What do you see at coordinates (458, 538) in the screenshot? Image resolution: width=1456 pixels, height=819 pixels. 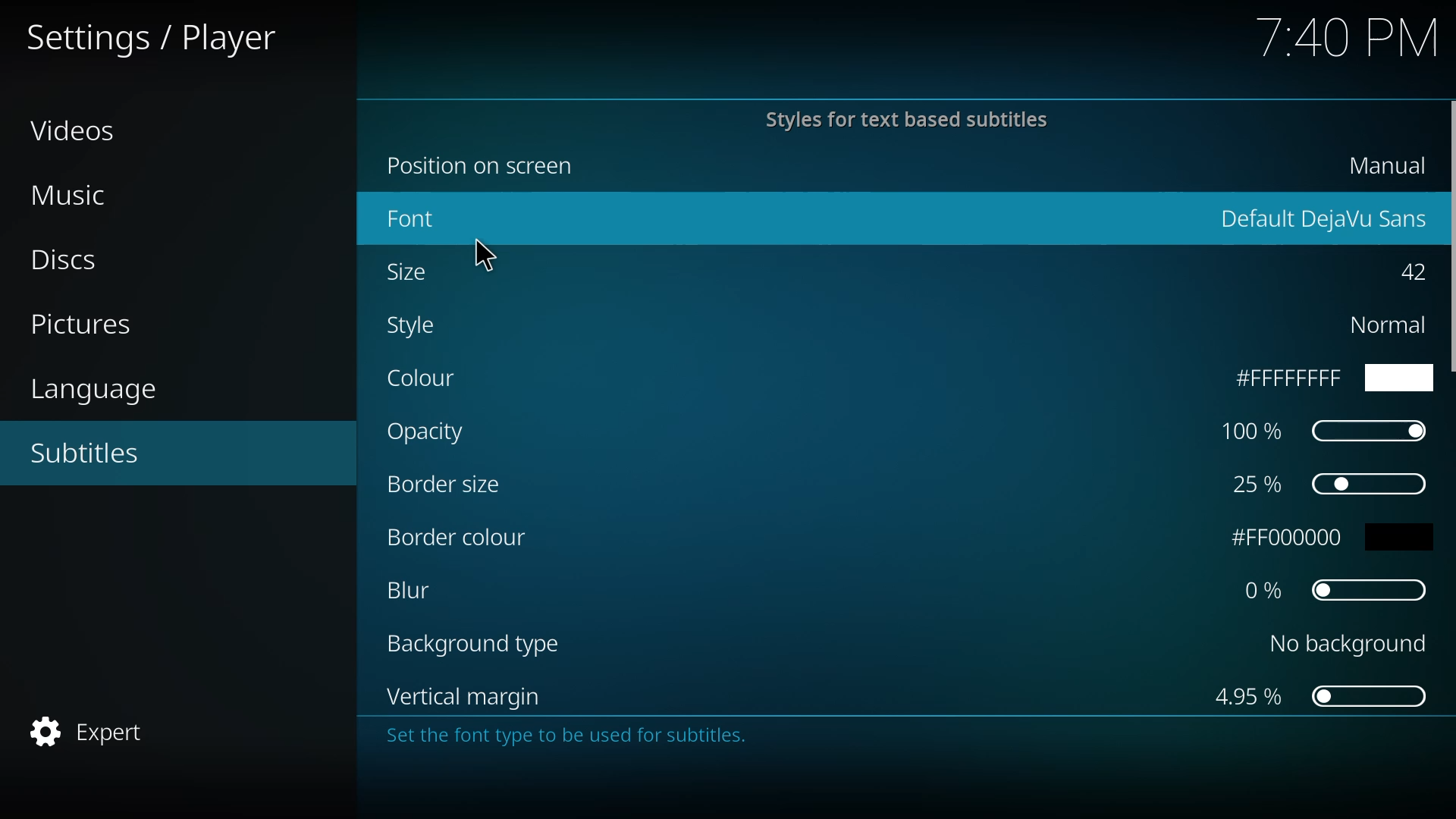 I see `border color` at bounding box center [458, 538].